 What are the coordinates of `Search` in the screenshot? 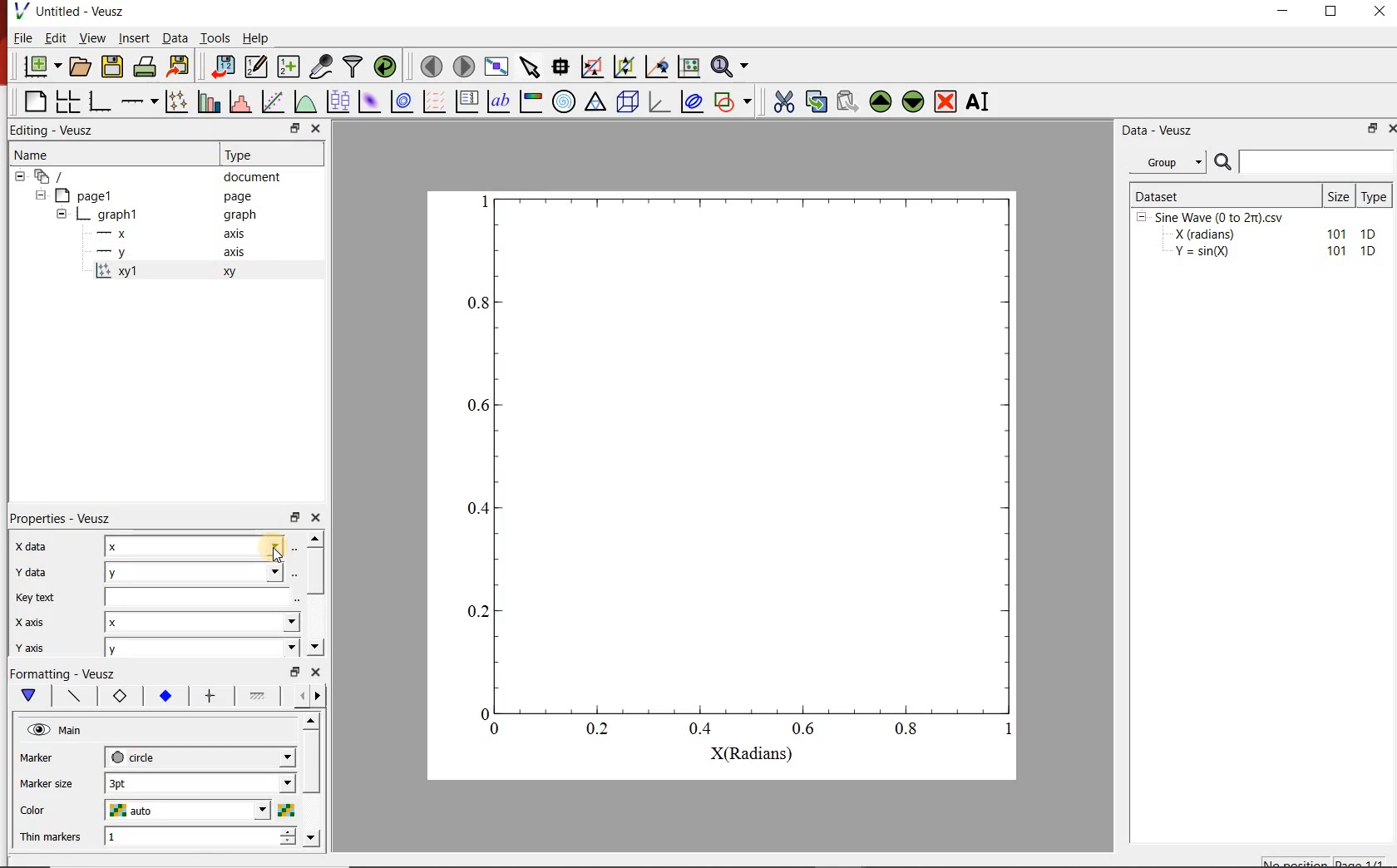 It's located at (1305, 162).